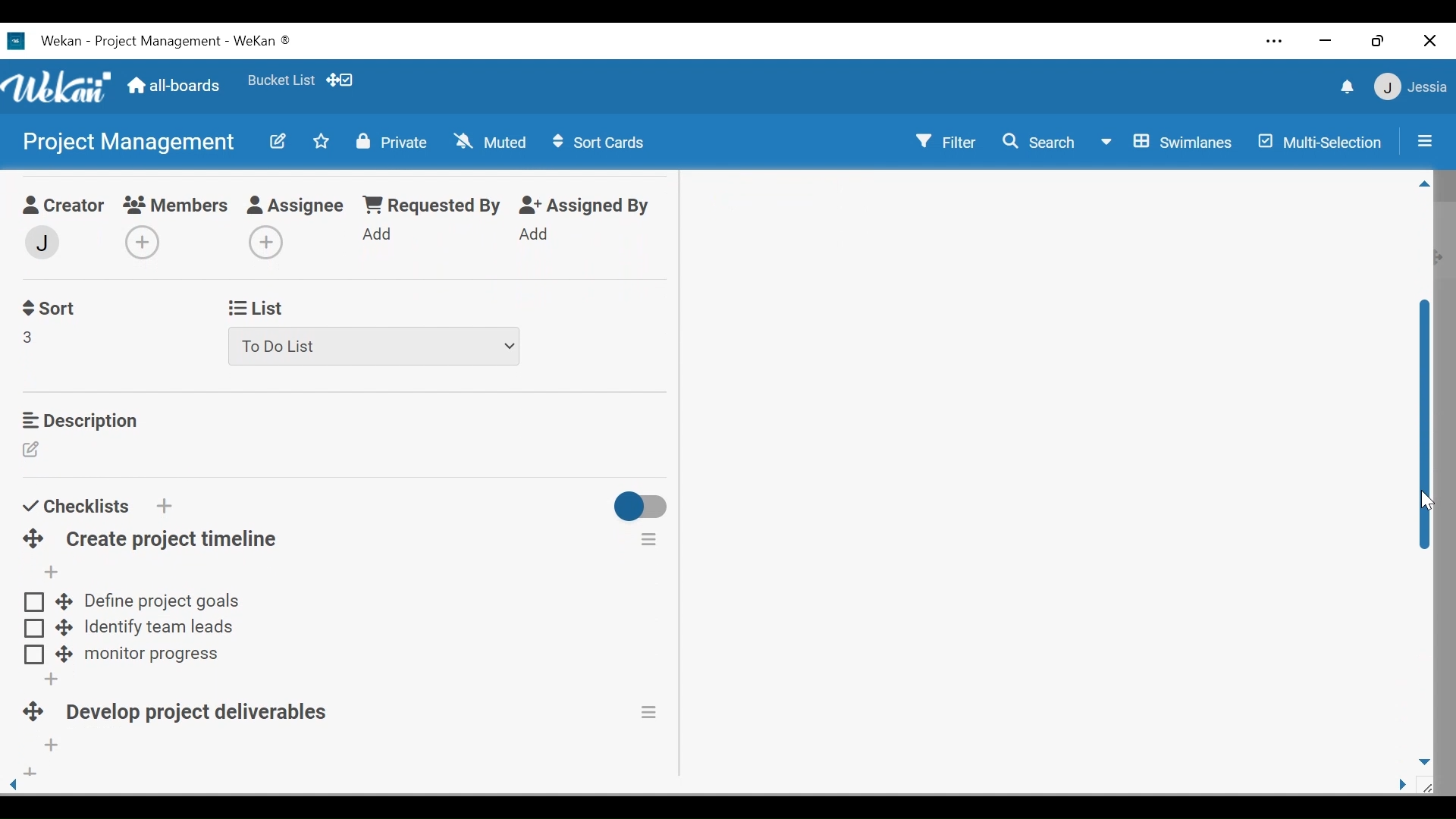 The height and width of the screenshot is (819, 1456). I want to click on Checklist name, so click(203, 715).